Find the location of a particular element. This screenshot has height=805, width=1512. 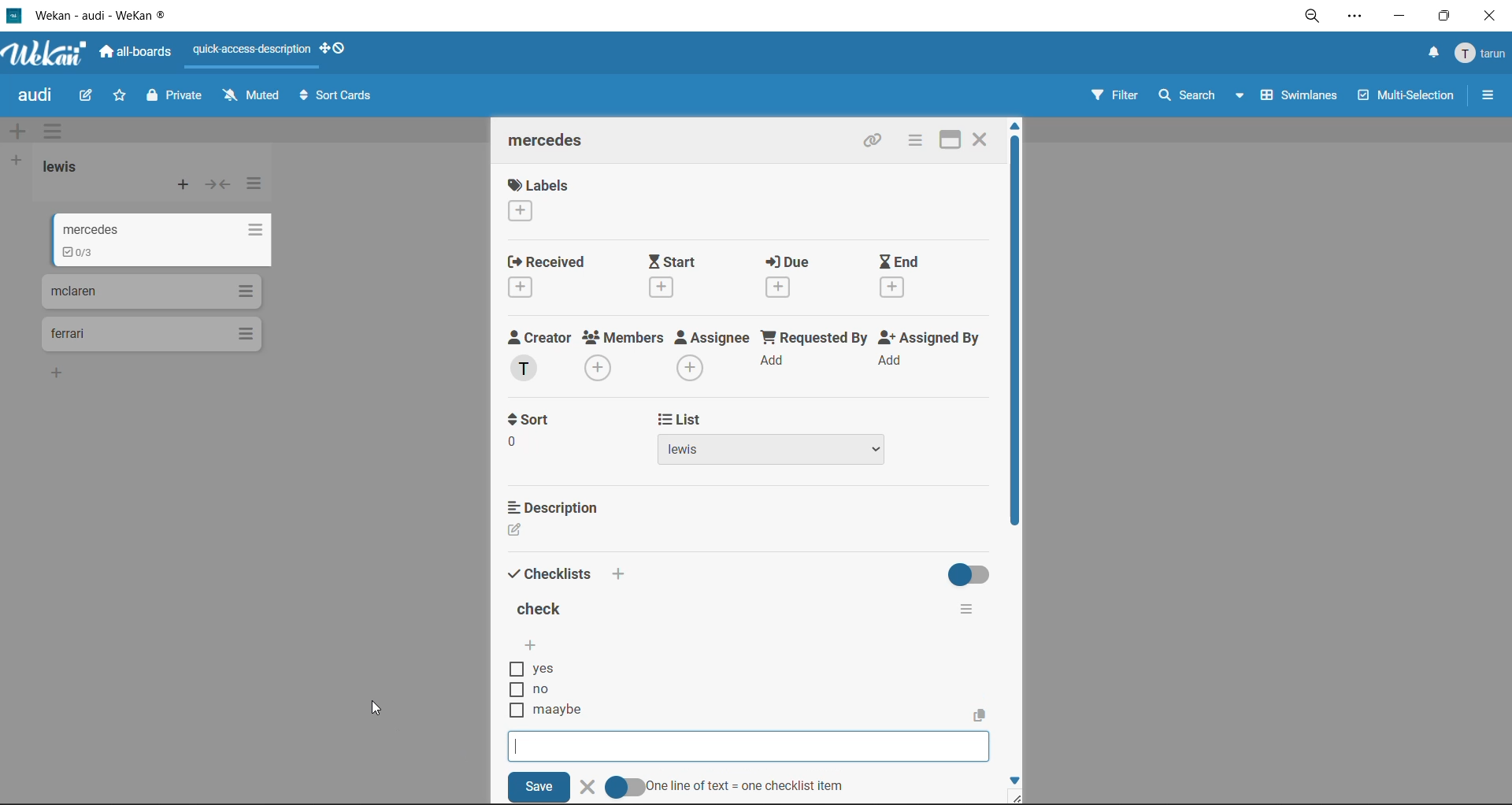

copy is located at coordinates (981, 714).